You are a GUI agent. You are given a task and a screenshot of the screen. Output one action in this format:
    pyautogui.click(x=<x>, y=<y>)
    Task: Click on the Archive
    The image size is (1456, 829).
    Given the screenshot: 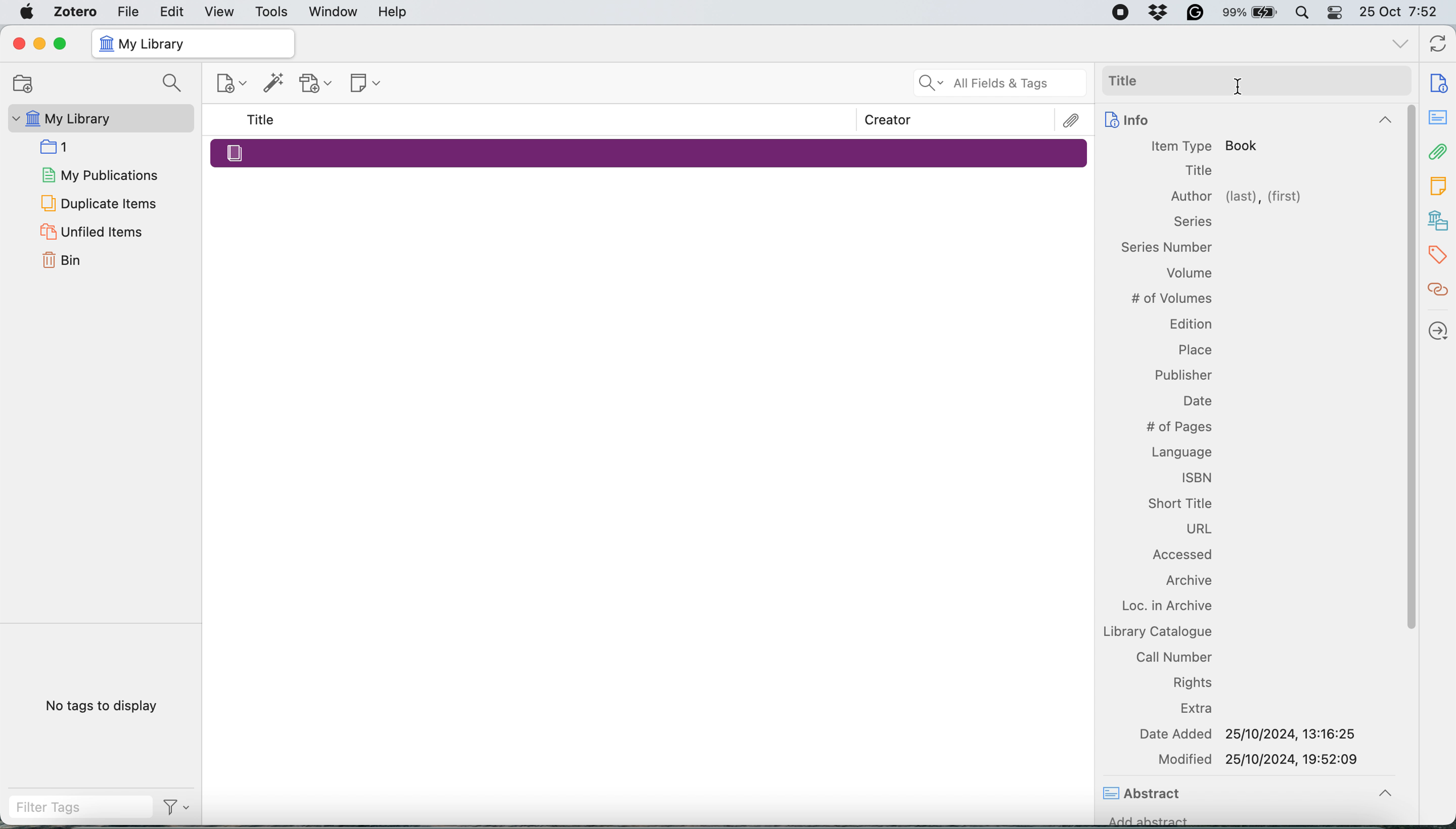 What is the action you would take?
    pyautogui.click(x=1187, y=582)
    